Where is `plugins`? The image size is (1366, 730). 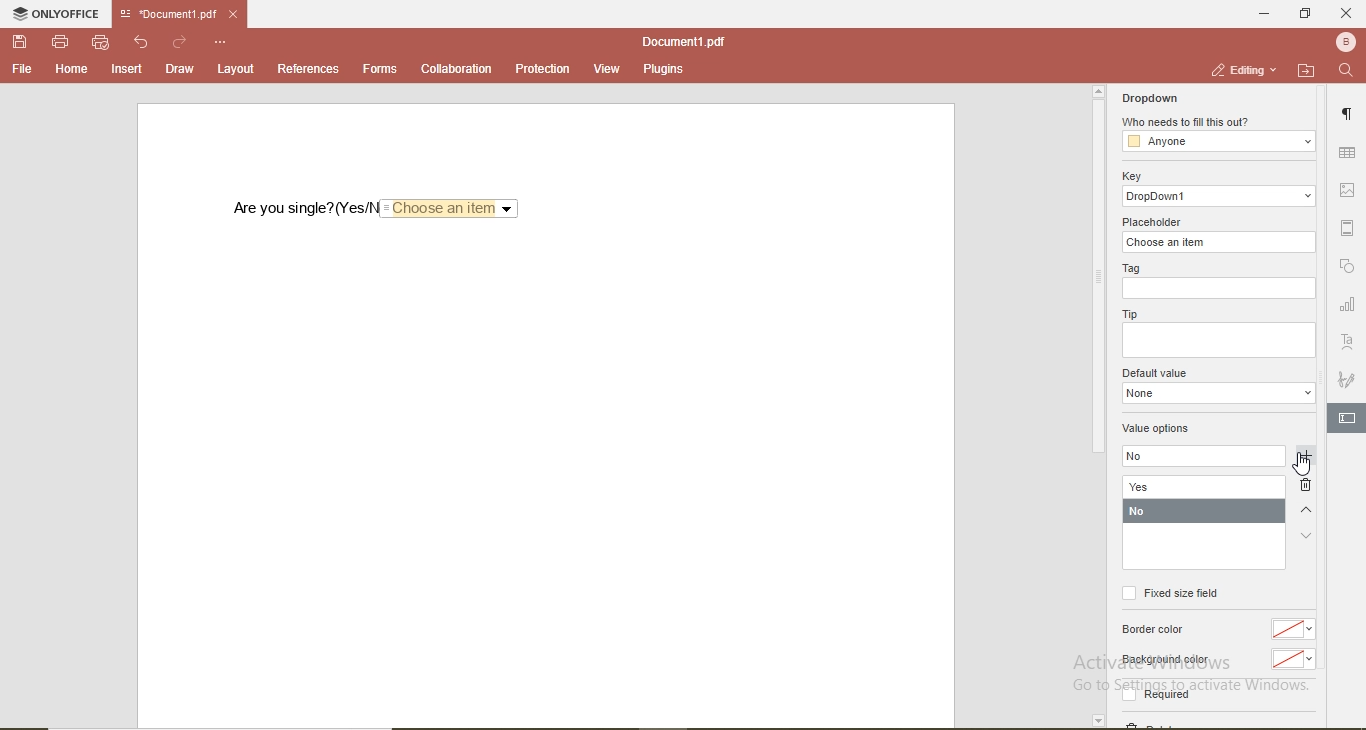
plugins is located at coordinates (660, 69).